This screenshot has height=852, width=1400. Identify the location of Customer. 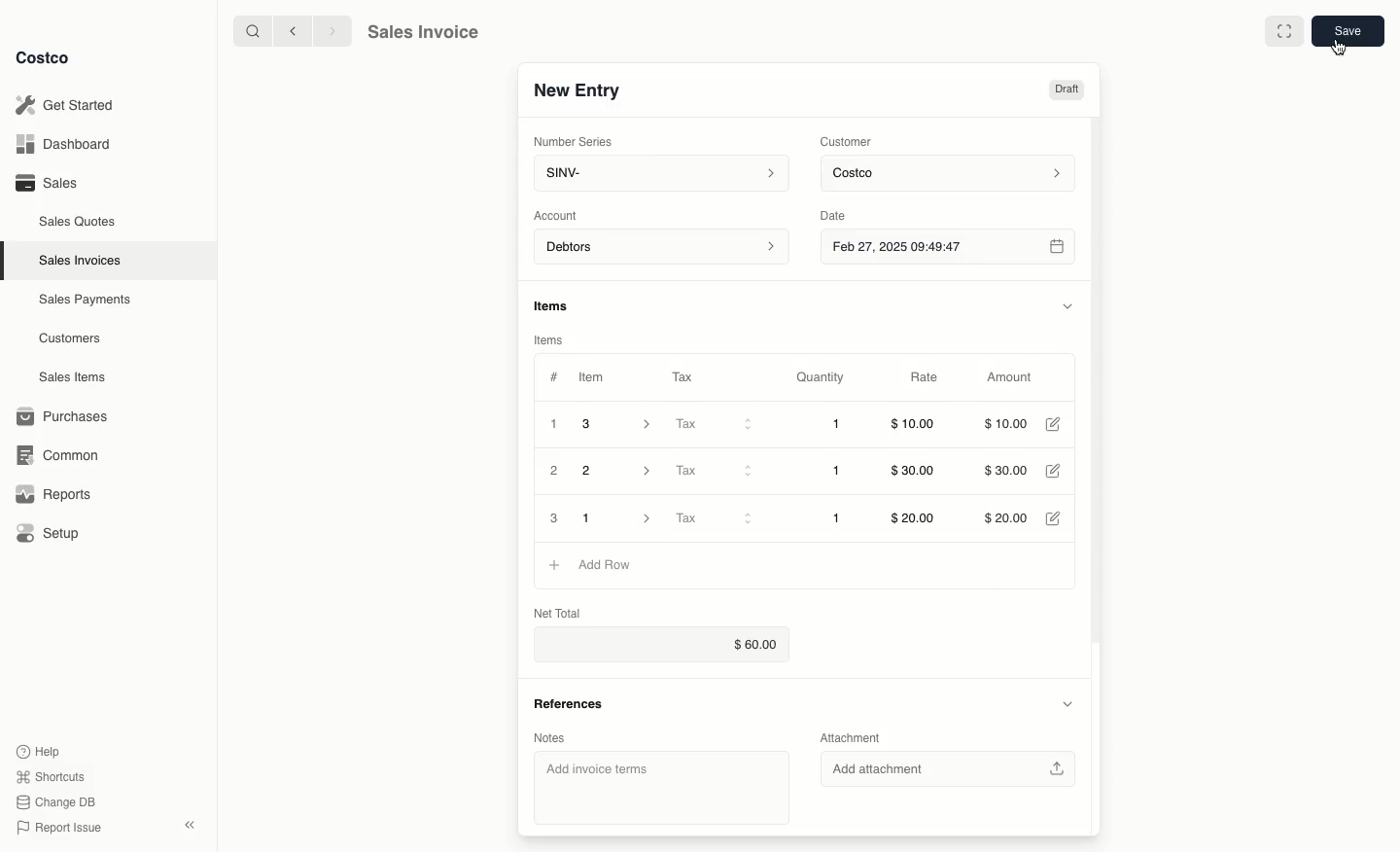
(847, 140).